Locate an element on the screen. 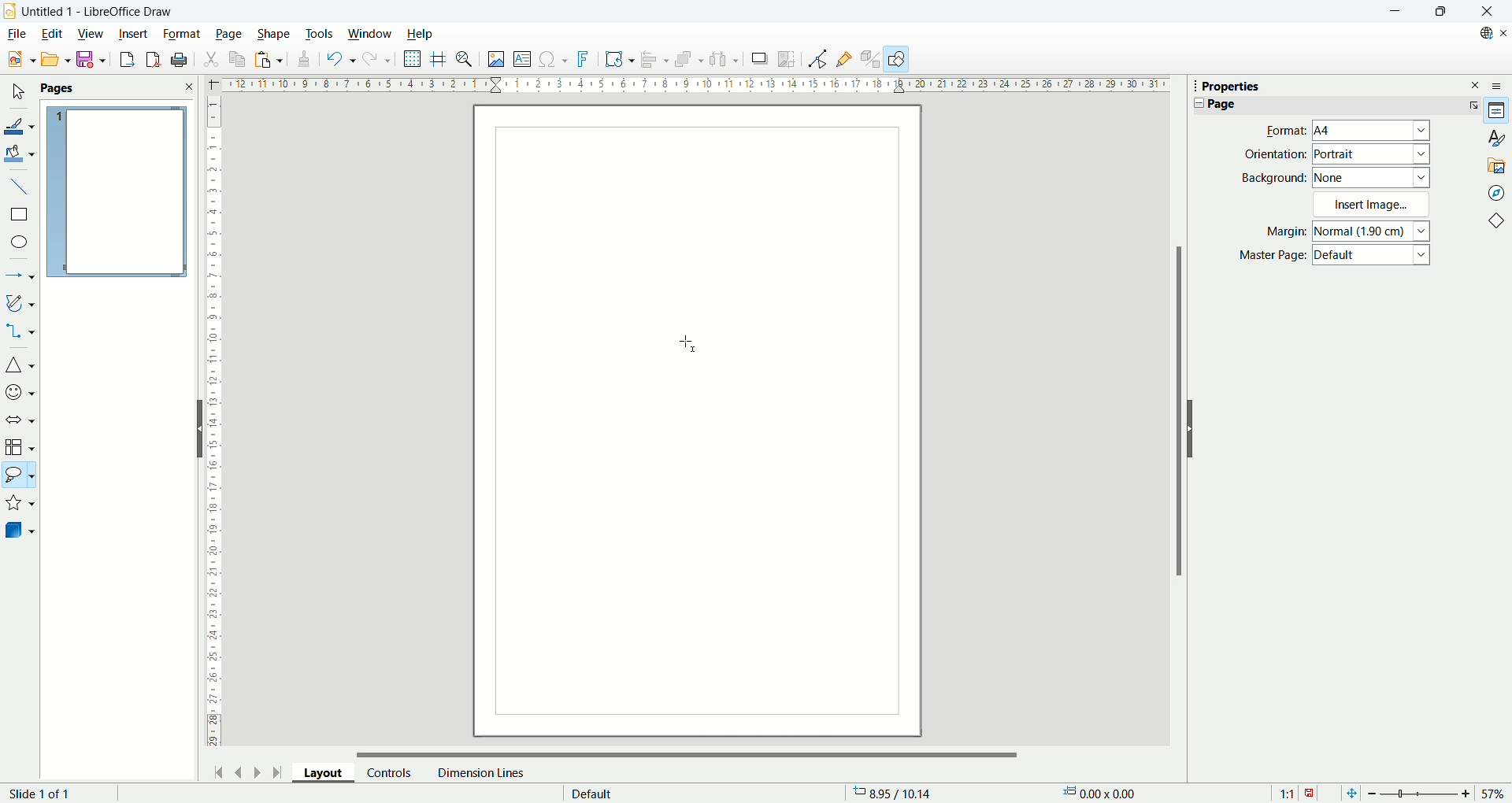  Hotizontal ruler is located at coordinates (695, 87).